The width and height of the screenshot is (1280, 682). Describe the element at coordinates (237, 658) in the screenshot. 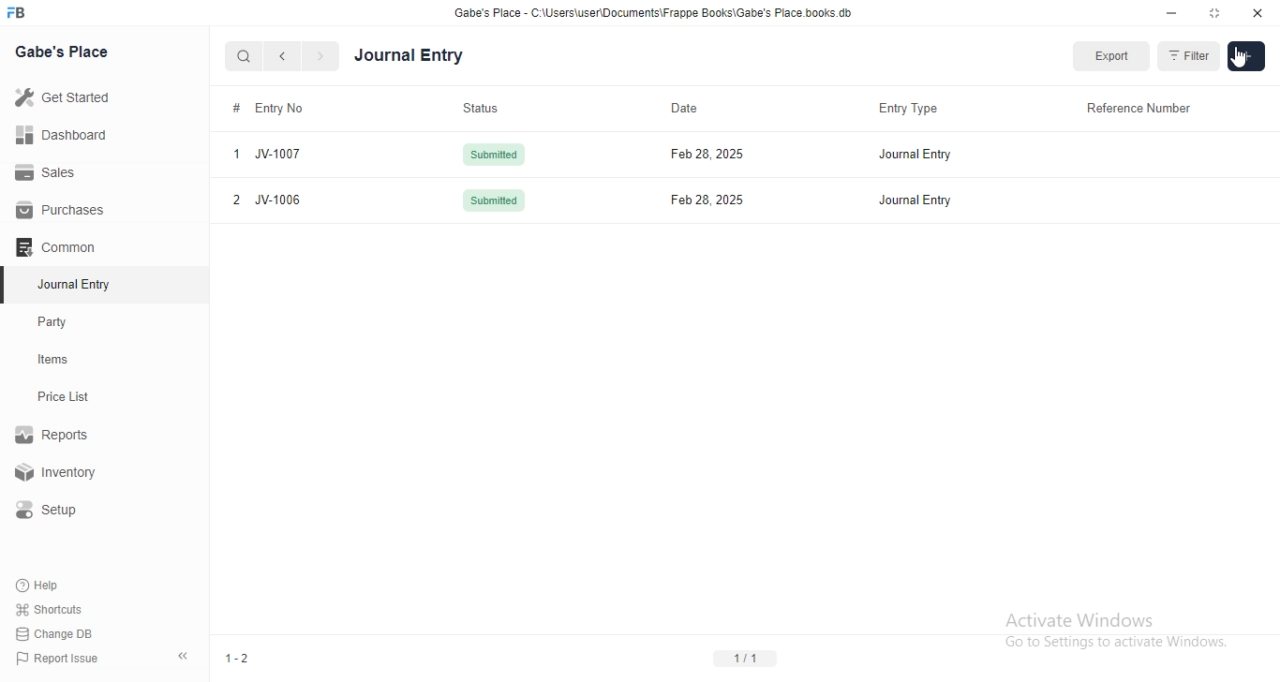

I see `1-2` at that location.